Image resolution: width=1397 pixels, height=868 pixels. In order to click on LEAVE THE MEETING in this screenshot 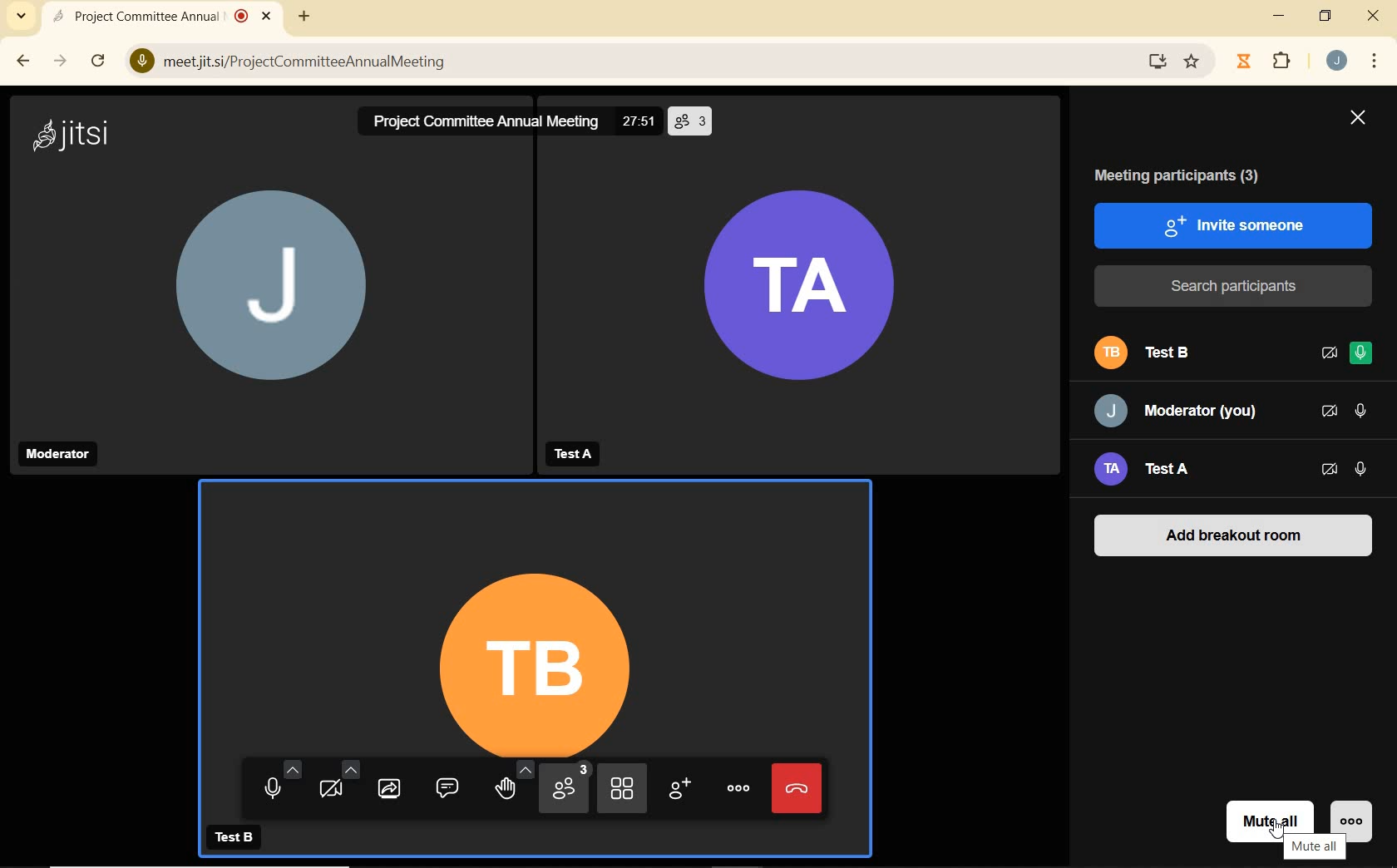, I will do `click(794, 787)`.